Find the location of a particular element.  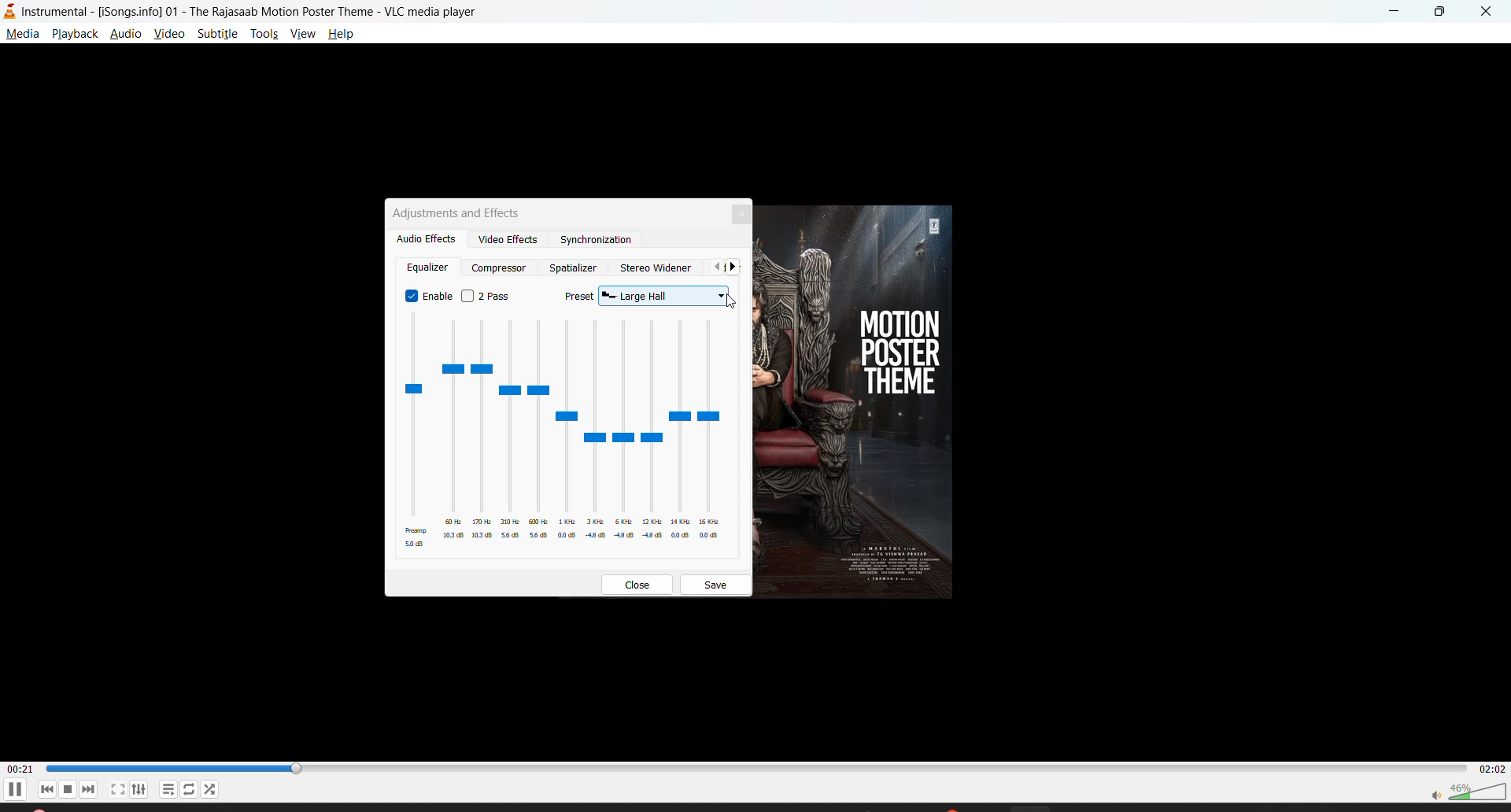

2 pass is located at coordinates (484, 297).